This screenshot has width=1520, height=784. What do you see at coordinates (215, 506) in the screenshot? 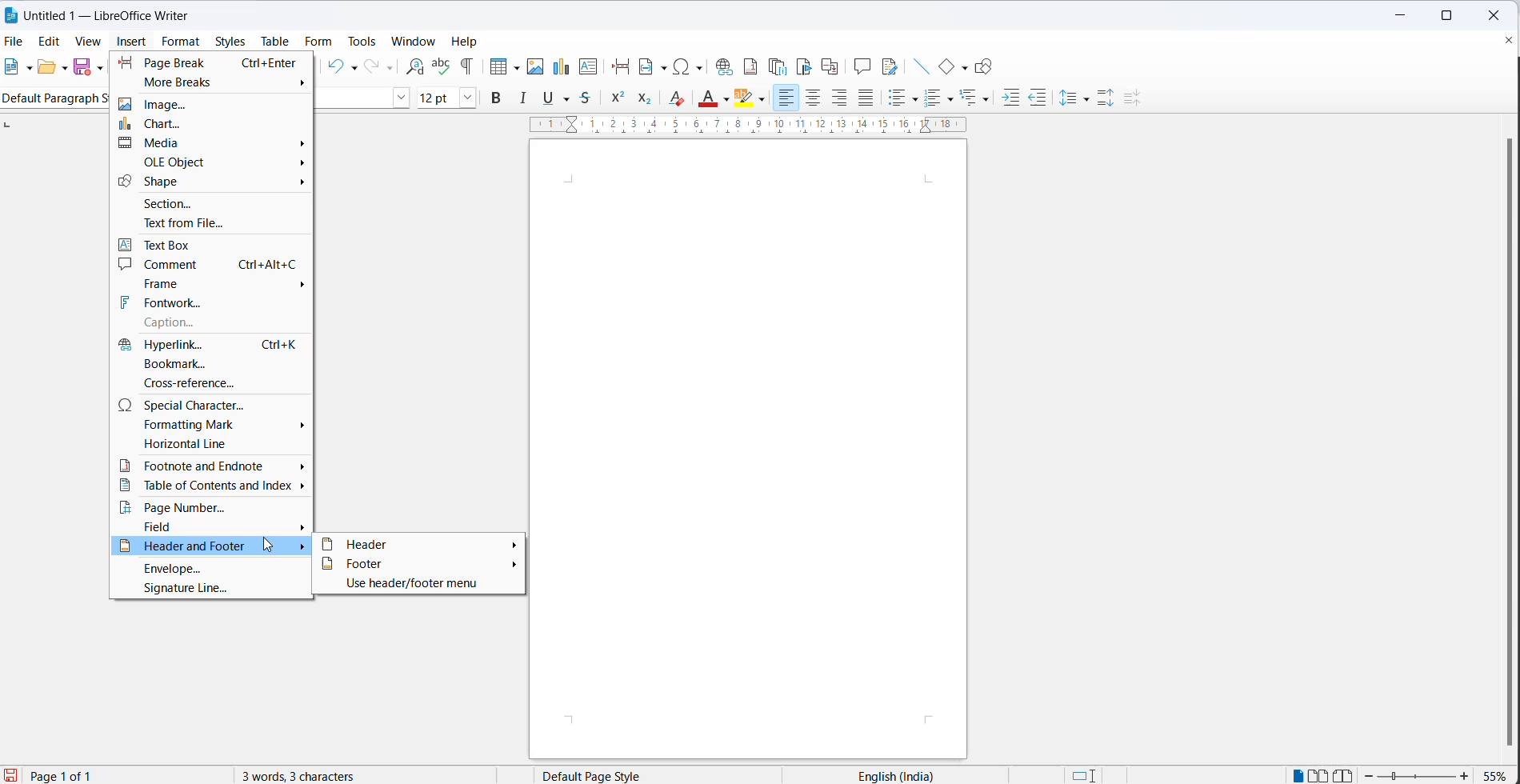
I see `page number` at bounding box center [215, 506].